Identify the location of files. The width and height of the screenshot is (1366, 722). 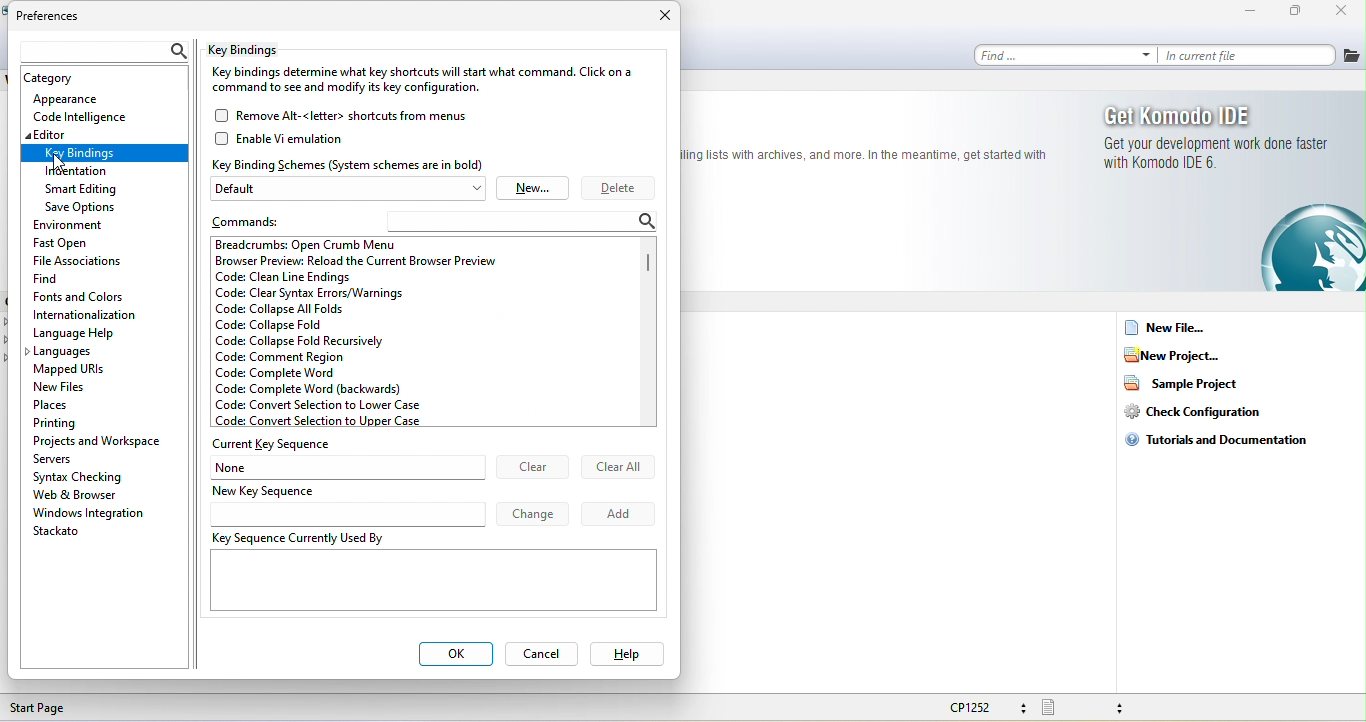
(1352, 56).